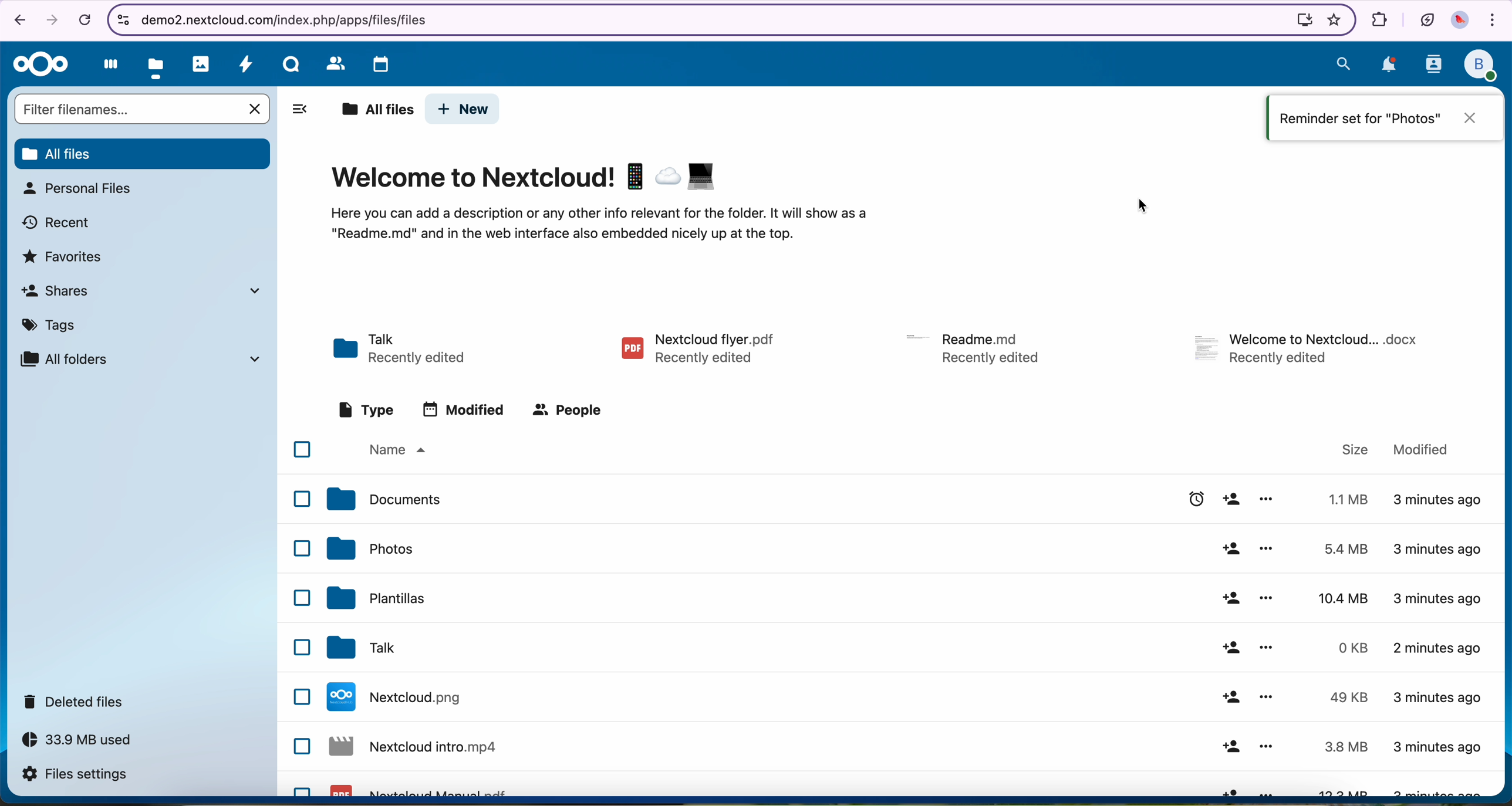  I want to click on click on files, so click(158, 62).